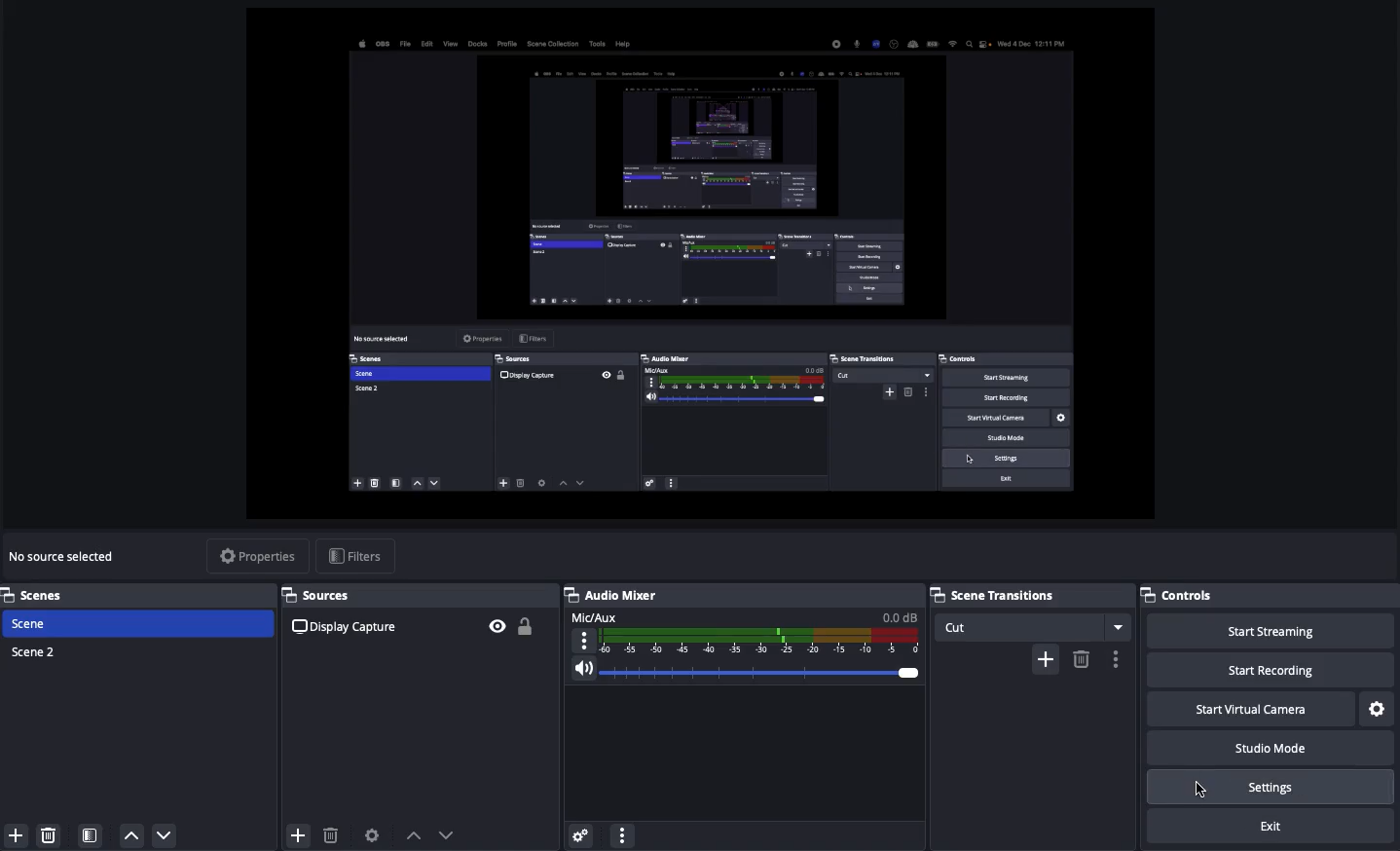  What do you see at coordinates (42, 623) in the screenshot?
I see `Scene 1` at bounding box center [42, 623].